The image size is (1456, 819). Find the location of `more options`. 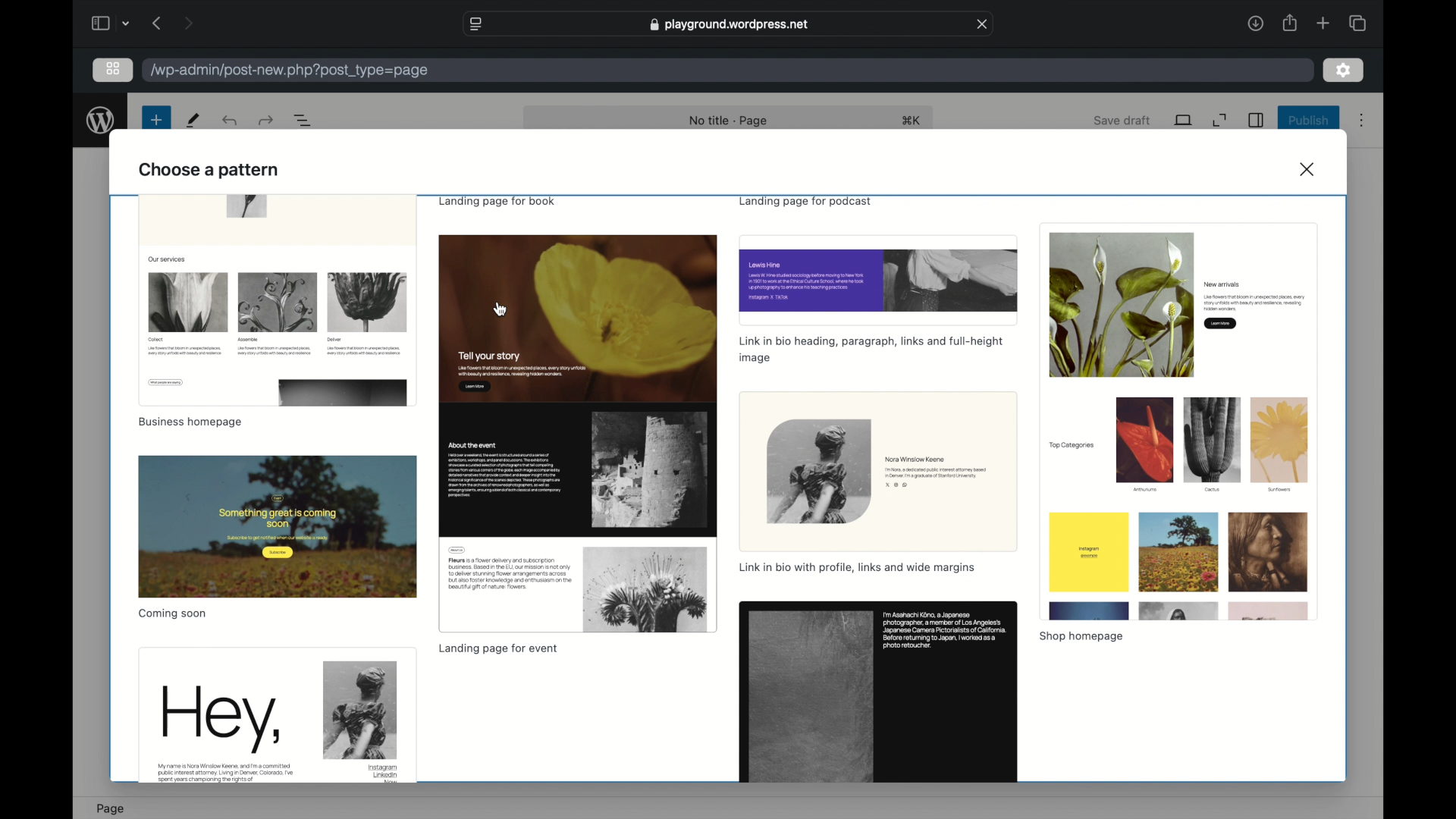

more options is located at coordinates (1361, 121).